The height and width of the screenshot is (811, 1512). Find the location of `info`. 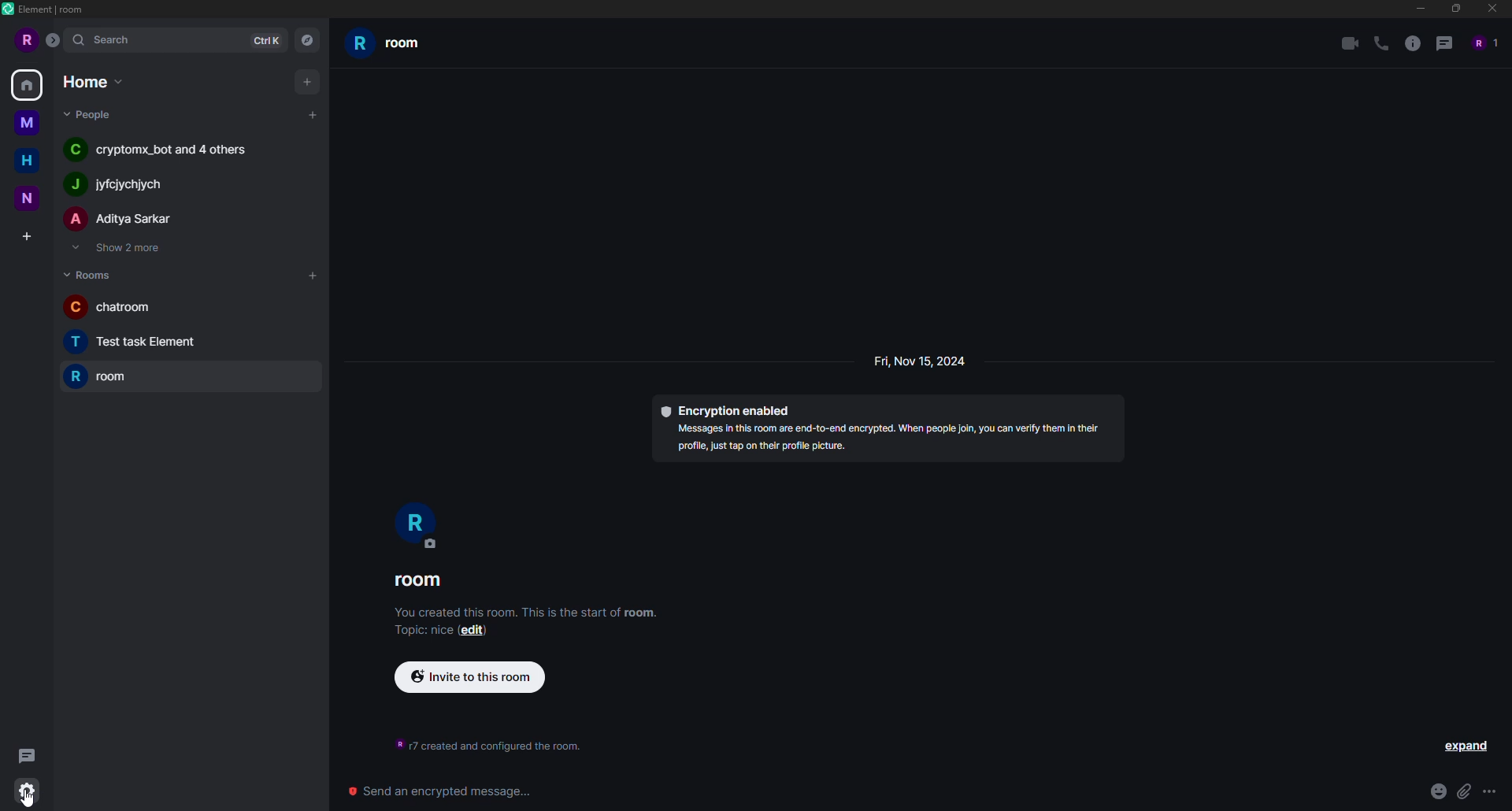

info is located at coordinates (1414, 43).